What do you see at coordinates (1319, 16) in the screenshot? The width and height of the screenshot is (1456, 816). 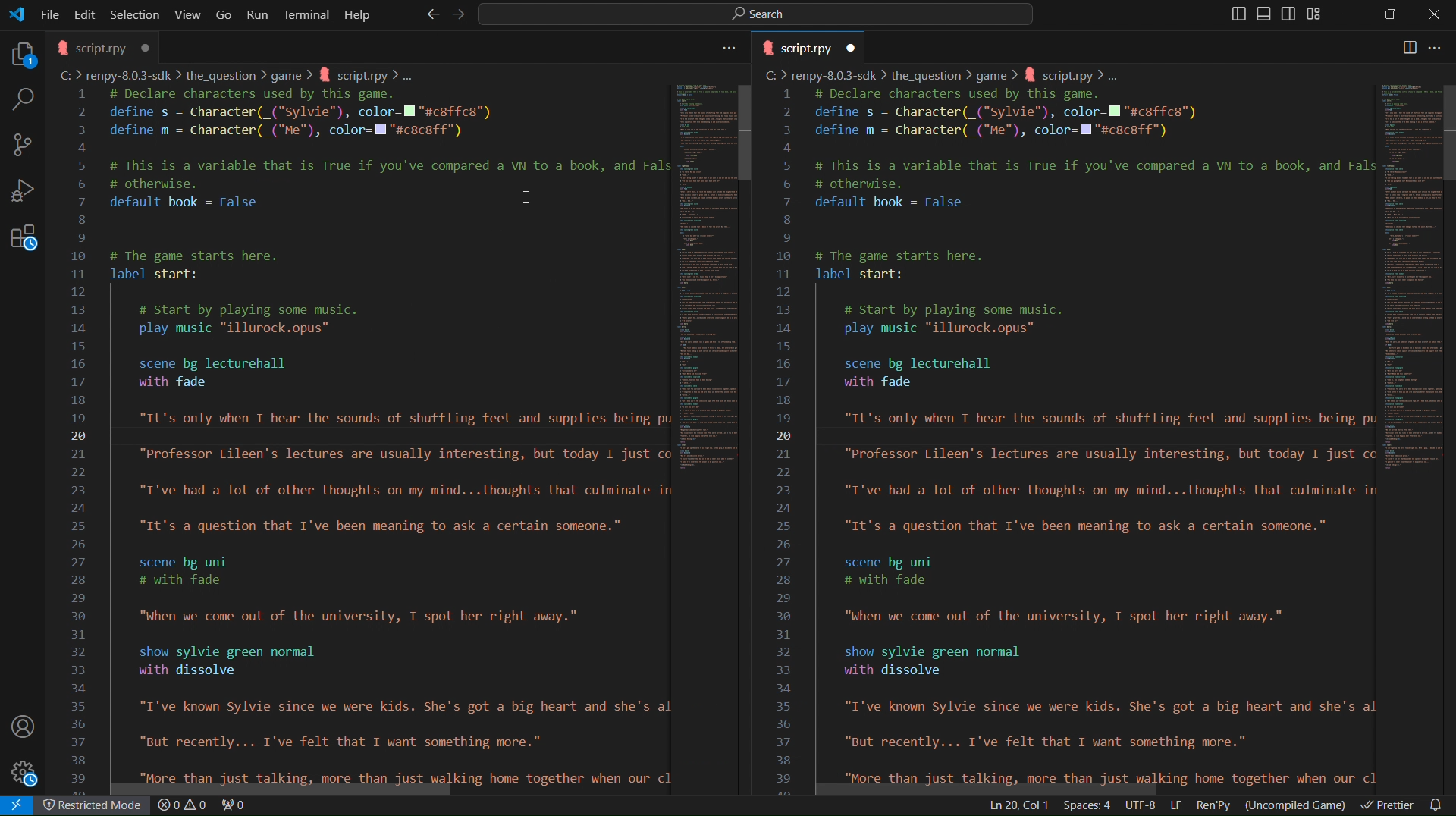 I see `Customize Layout` at bounding box center [1319, 16].